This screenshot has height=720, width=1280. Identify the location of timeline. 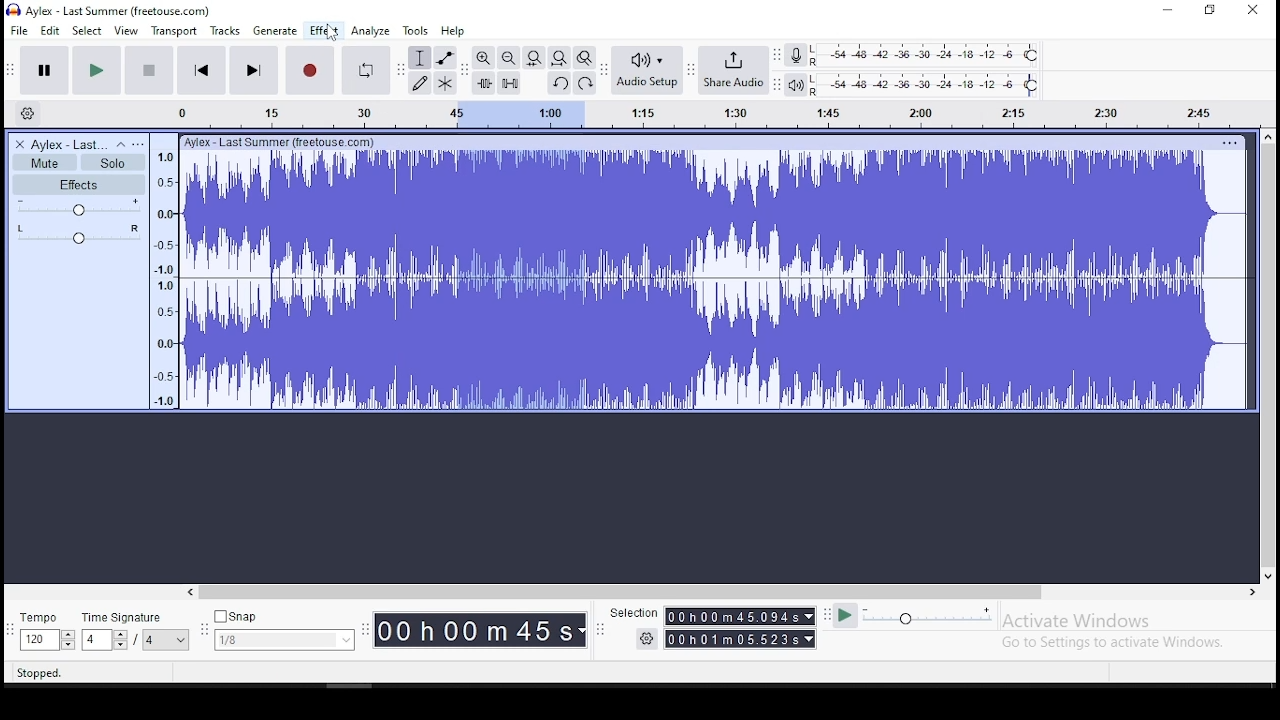
(168, 274).